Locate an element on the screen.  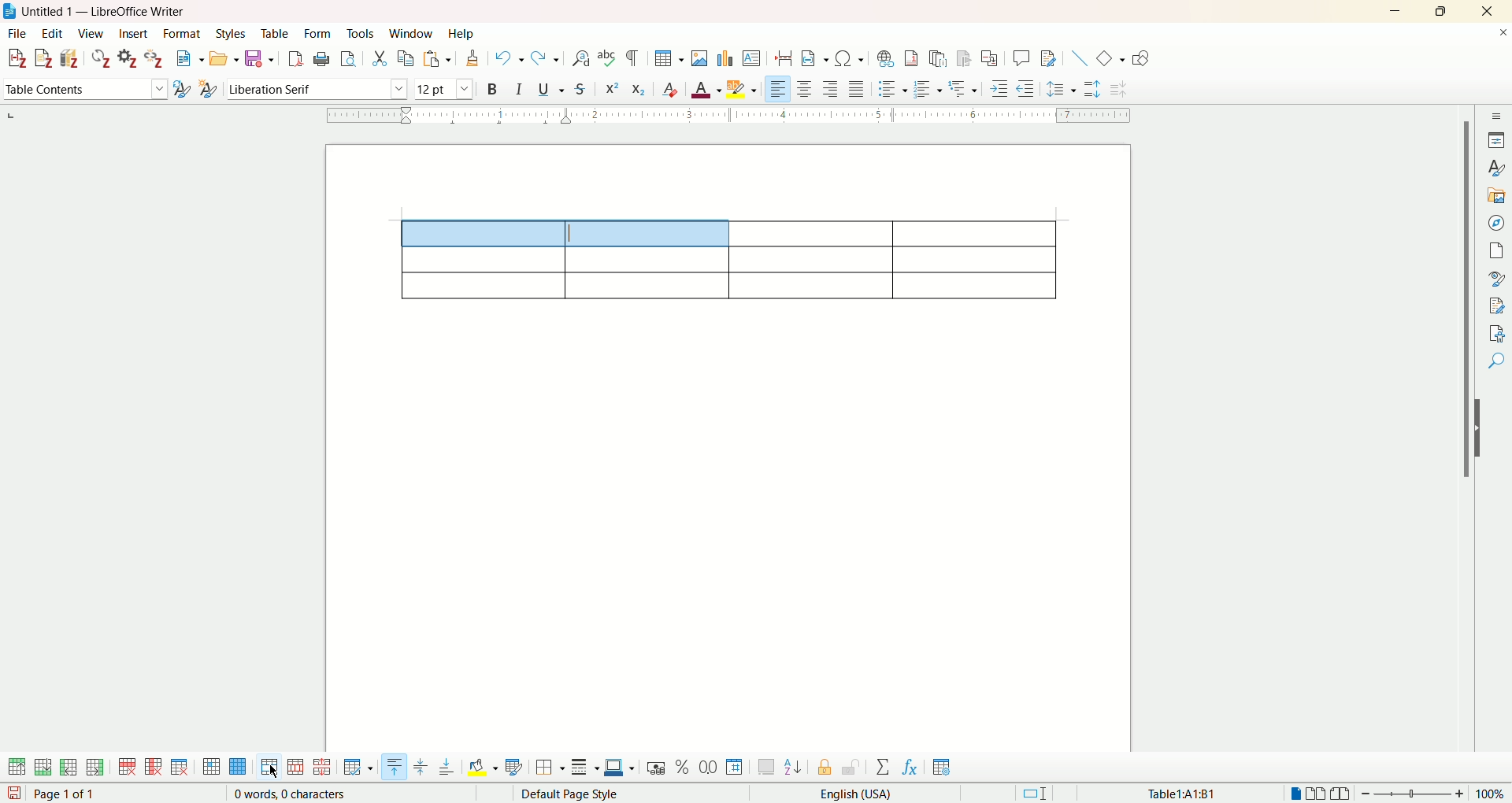
close is located at coordinates (1484, 10).